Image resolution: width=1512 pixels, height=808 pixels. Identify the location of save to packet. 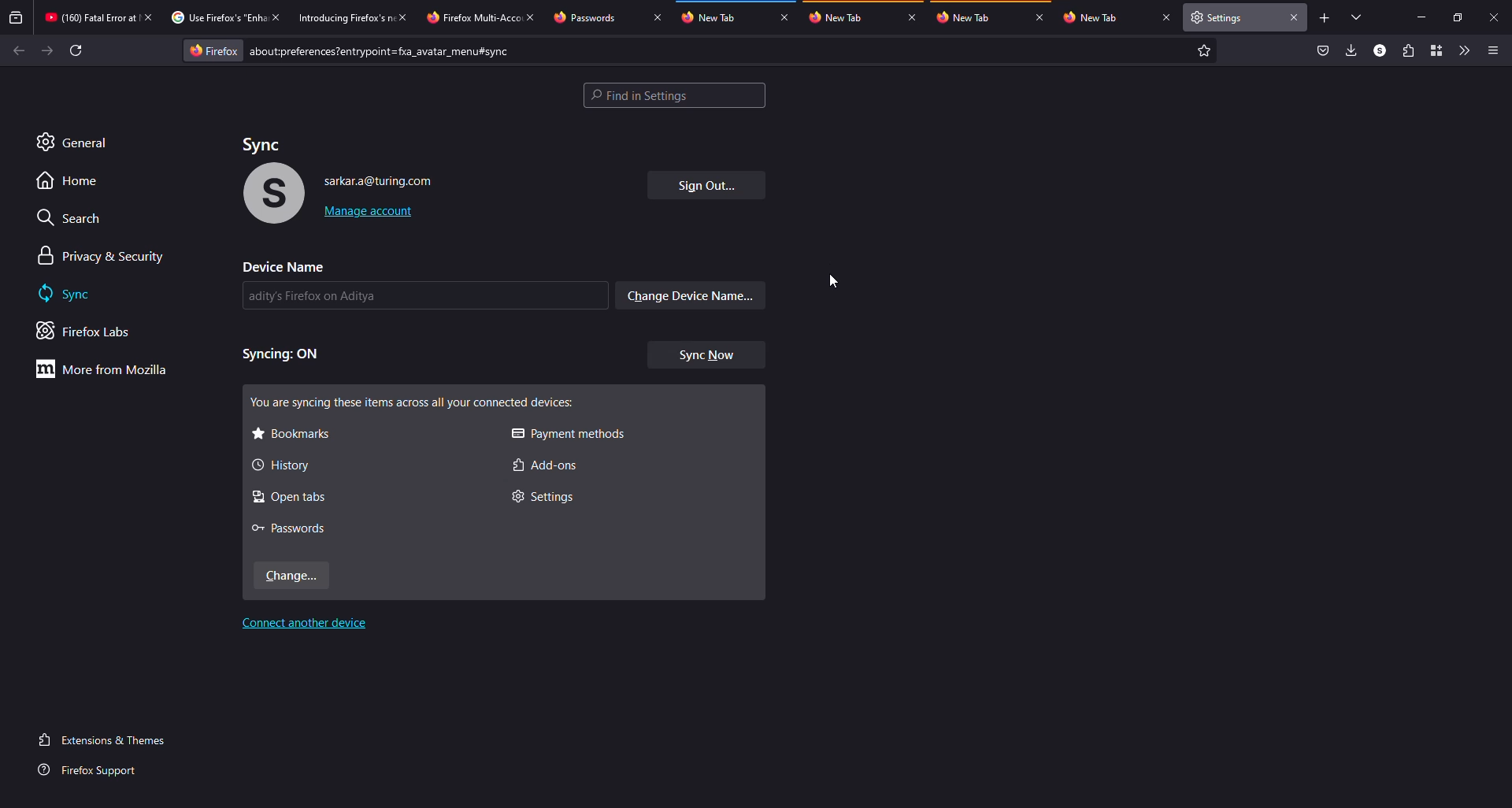
(1320, 50).